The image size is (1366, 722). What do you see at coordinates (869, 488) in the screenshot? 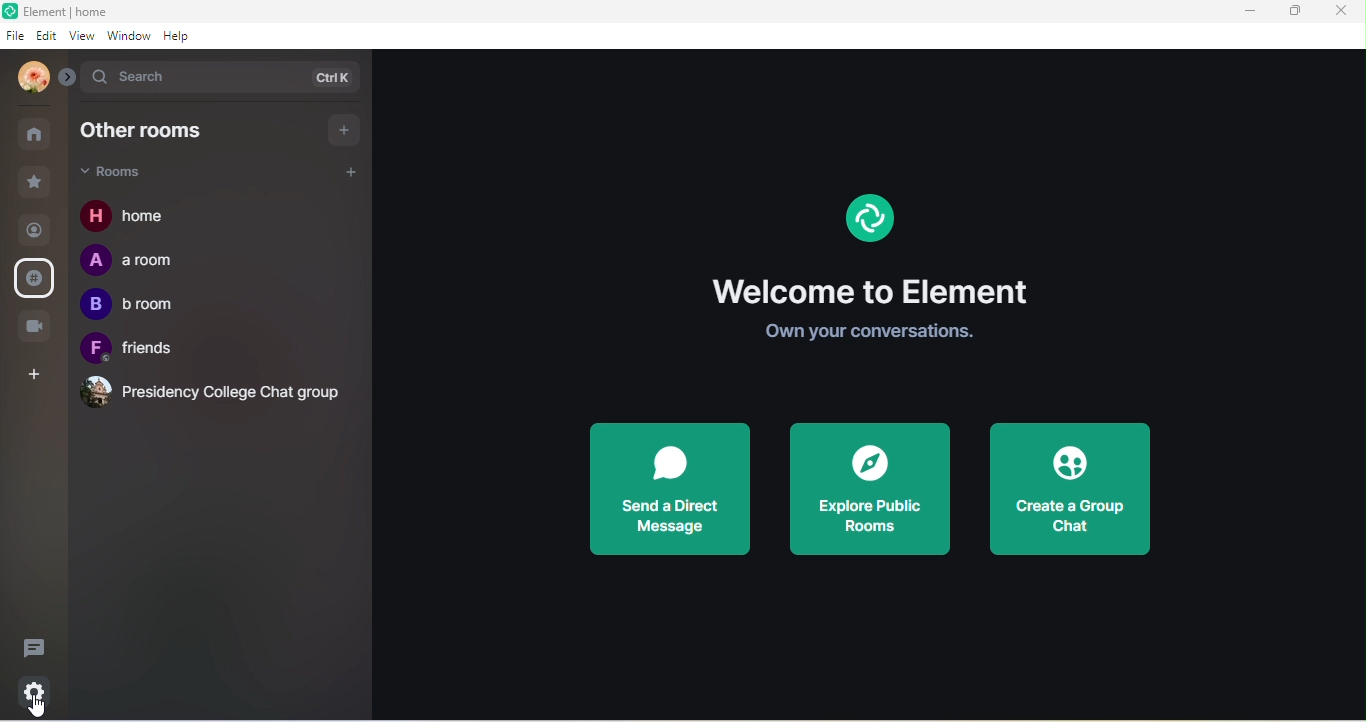
I see `explore public rooms` at bounding box center [869, 488].